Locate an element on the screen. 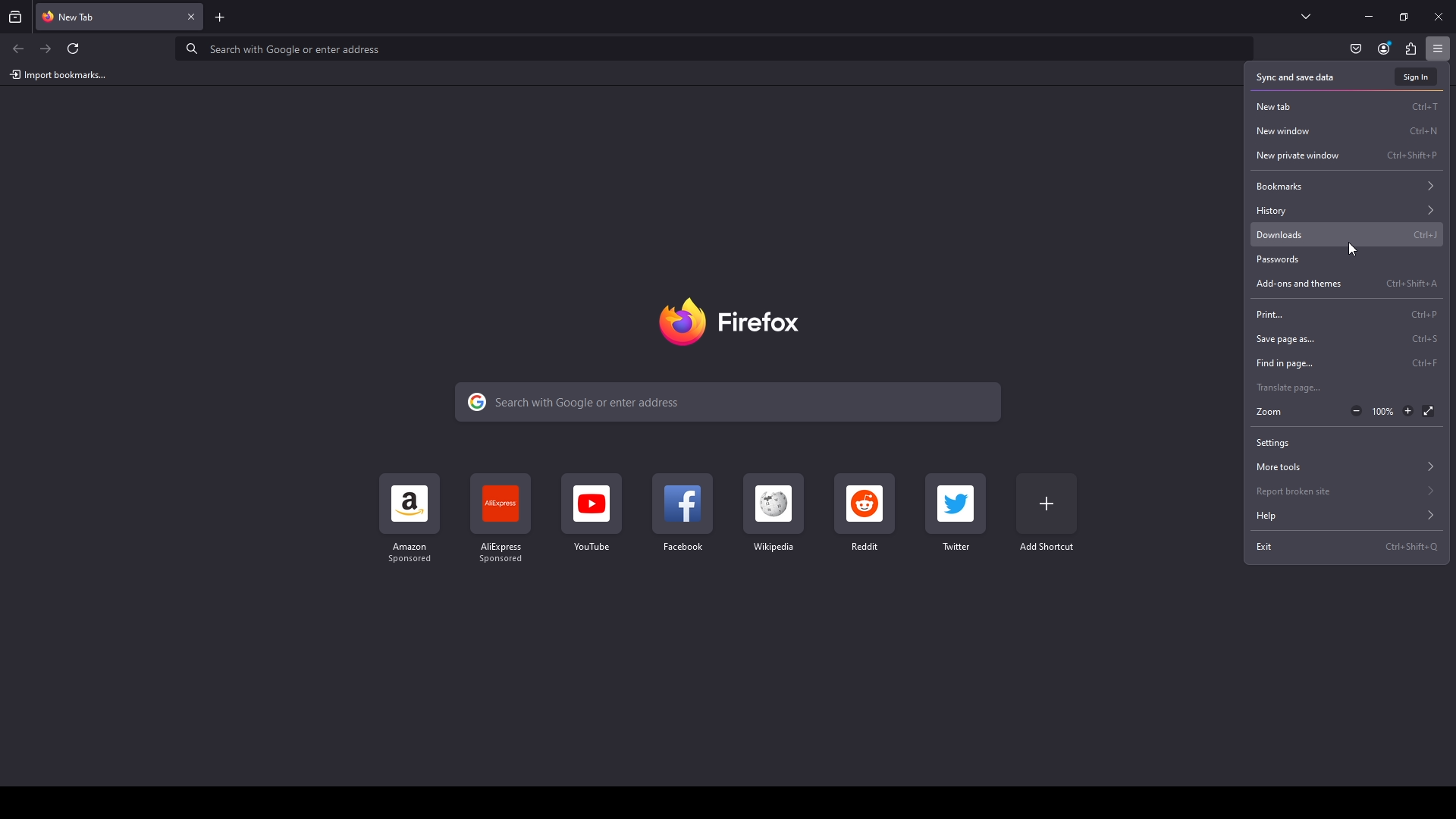 This screenshot has height=819, width=1456. open application menu is located at coordinates (1442, 49).